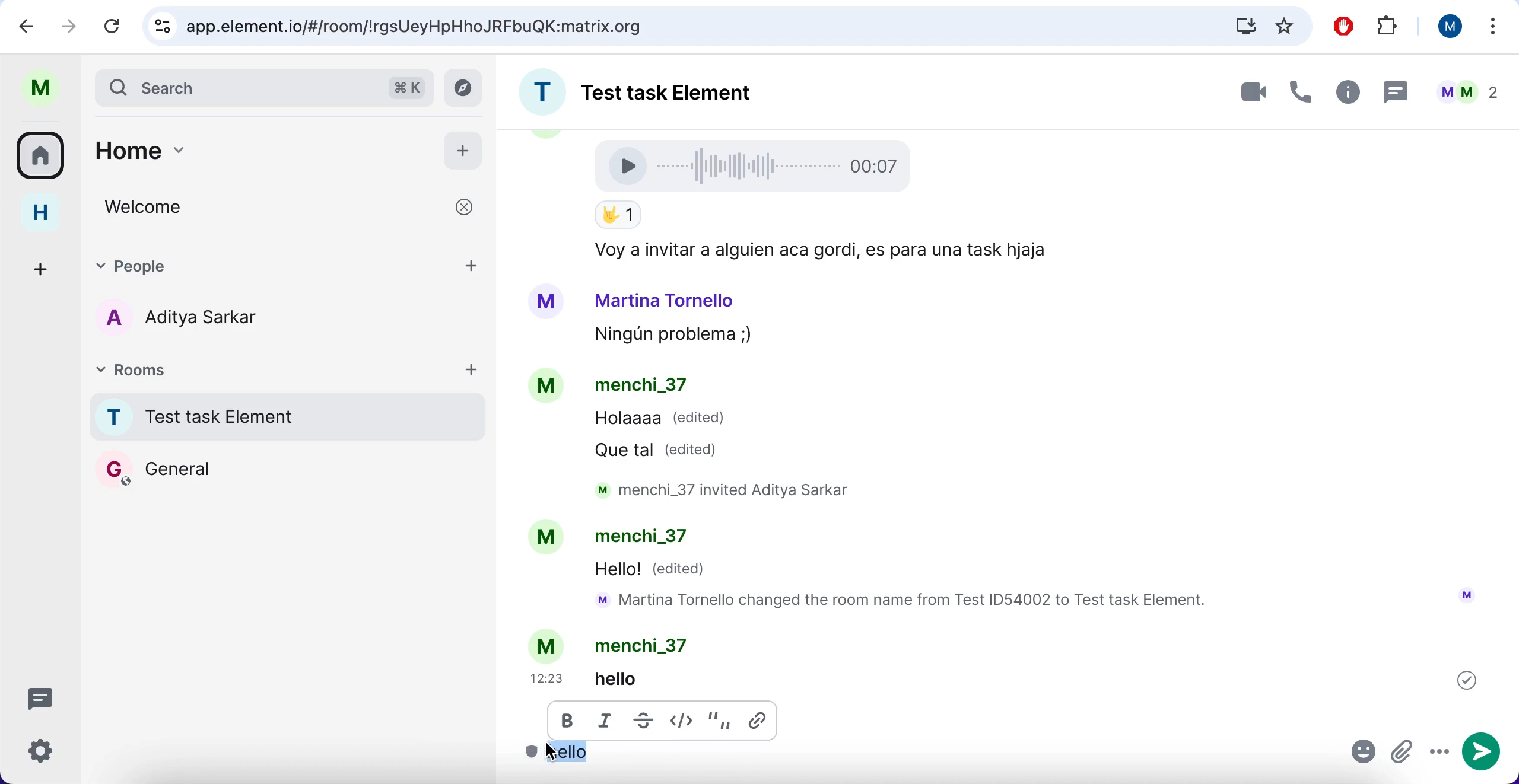 The image size is (1519, 784). Describe the element at coordinates (262, 87) in the screenshot. I see `search bar` at that location.